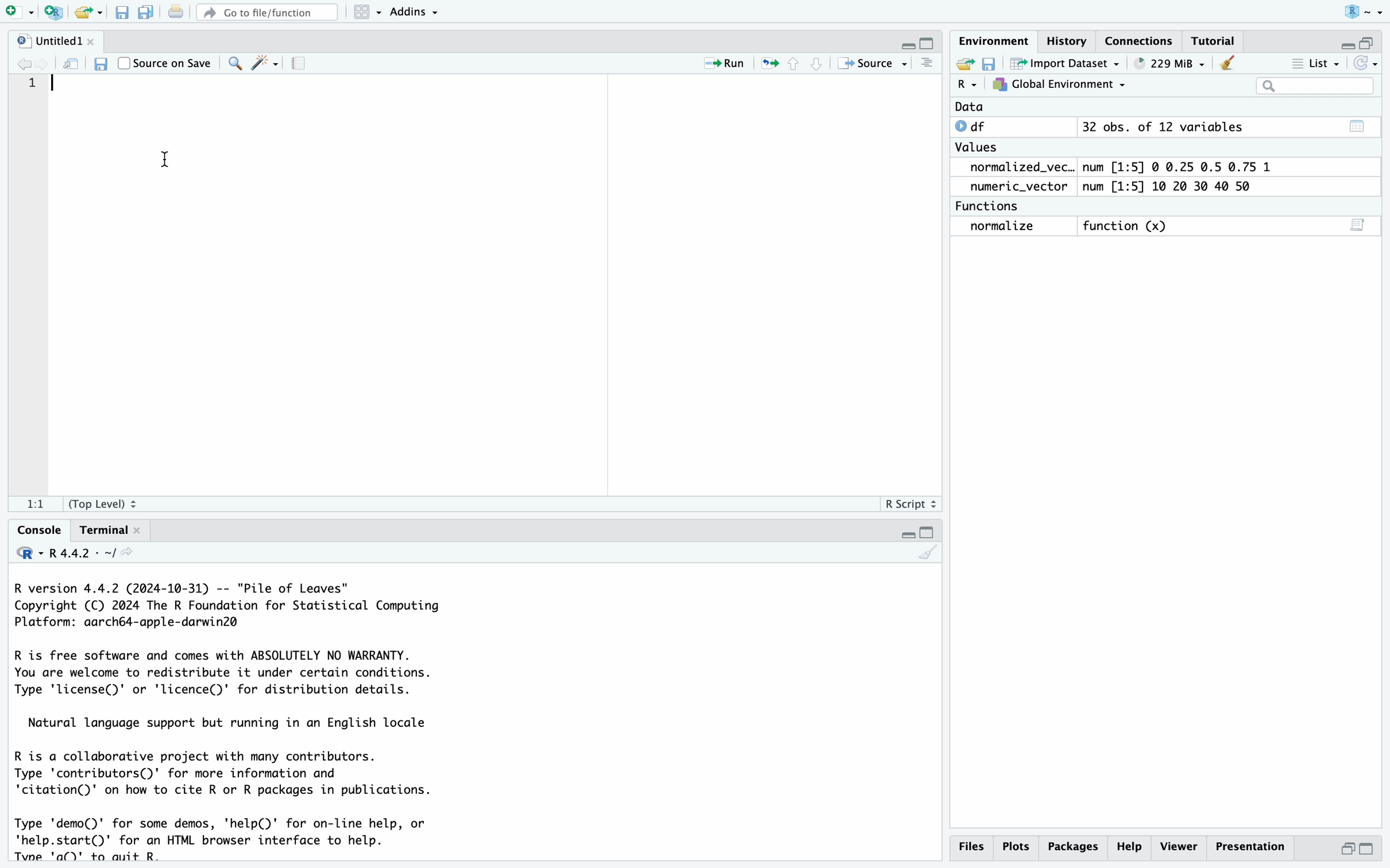 This screenshot has height=868, width=1390. I want to click on open file, so click(967, 64).